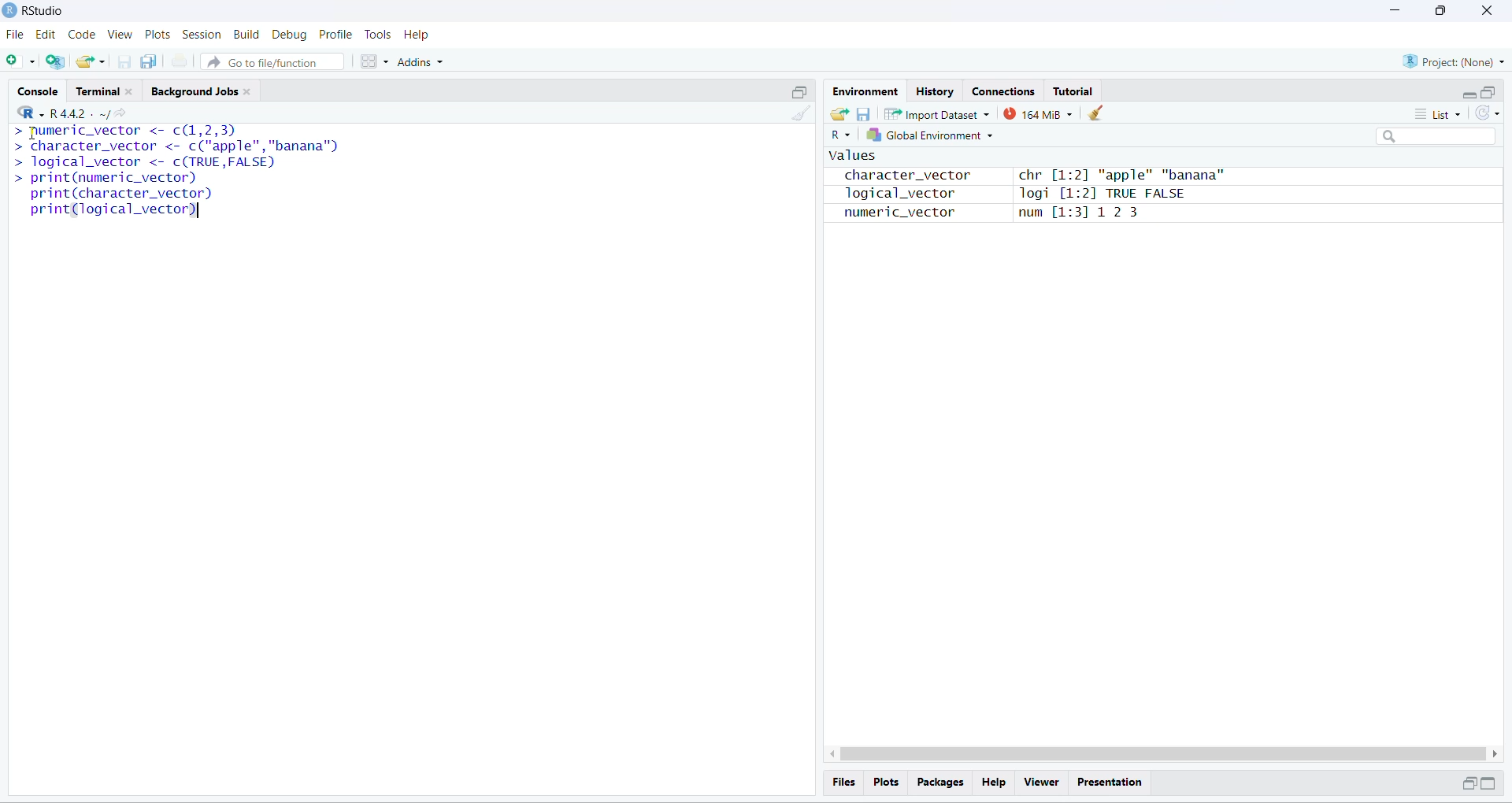 Image resolution: width=1512 pixels, height=803 pixels. I want to click on View, so click(120, 35).